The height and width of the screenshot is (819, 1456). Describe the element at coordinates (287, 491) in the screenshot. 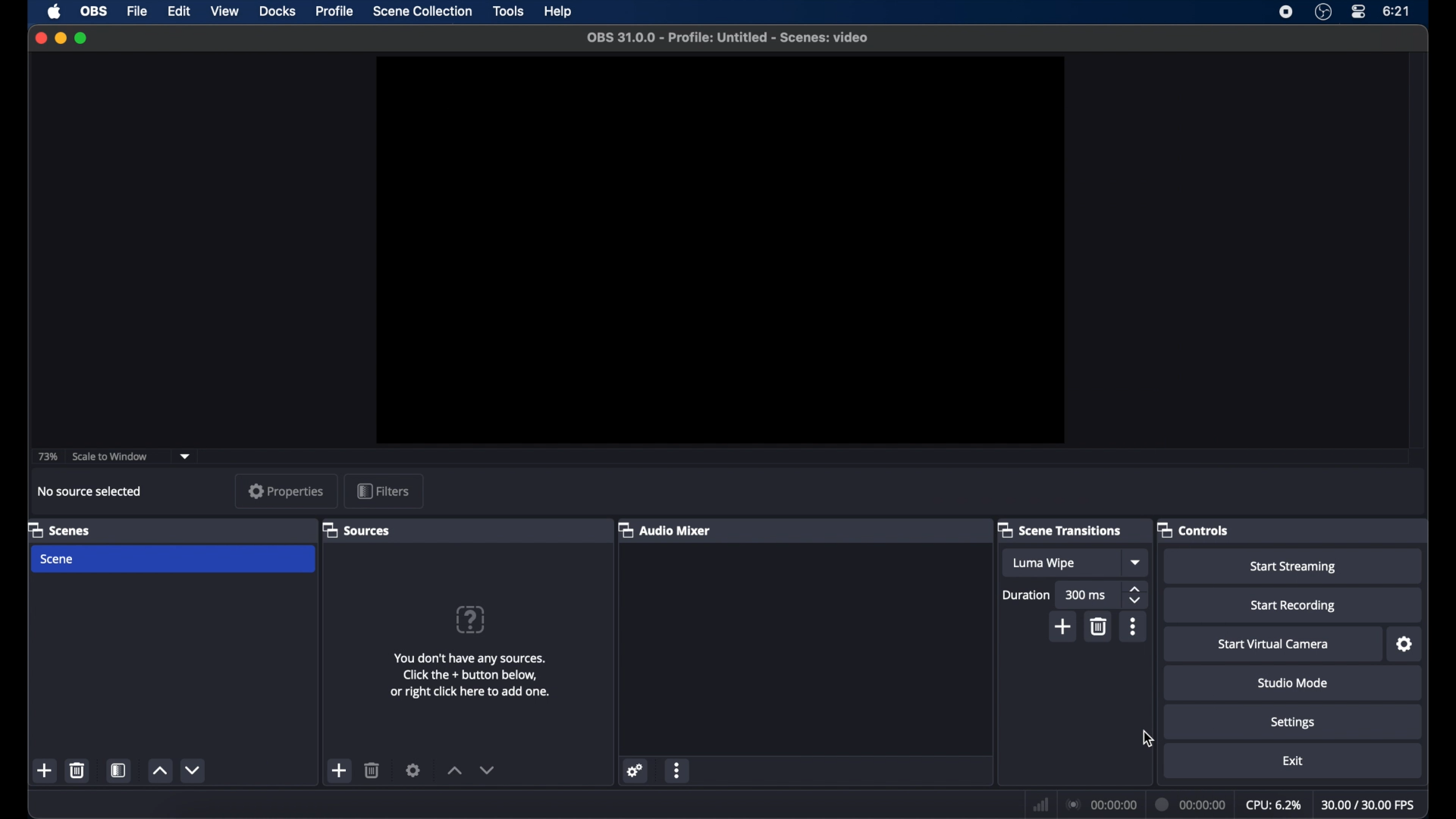

I see `properties` at that location.